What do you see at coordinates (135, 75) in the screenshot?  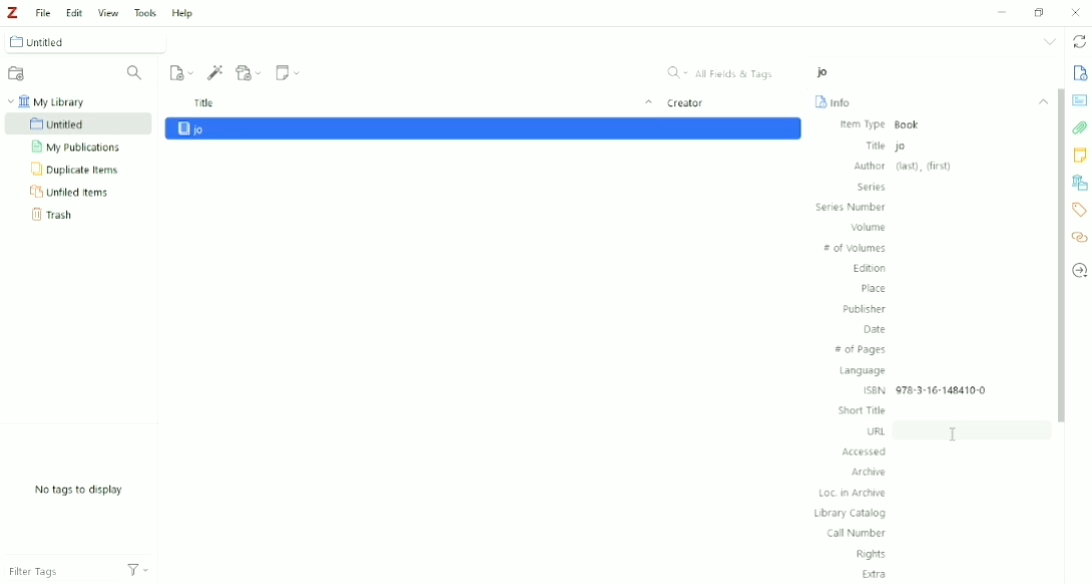 I see `Filter Collections` at bounding box center [135, 75].